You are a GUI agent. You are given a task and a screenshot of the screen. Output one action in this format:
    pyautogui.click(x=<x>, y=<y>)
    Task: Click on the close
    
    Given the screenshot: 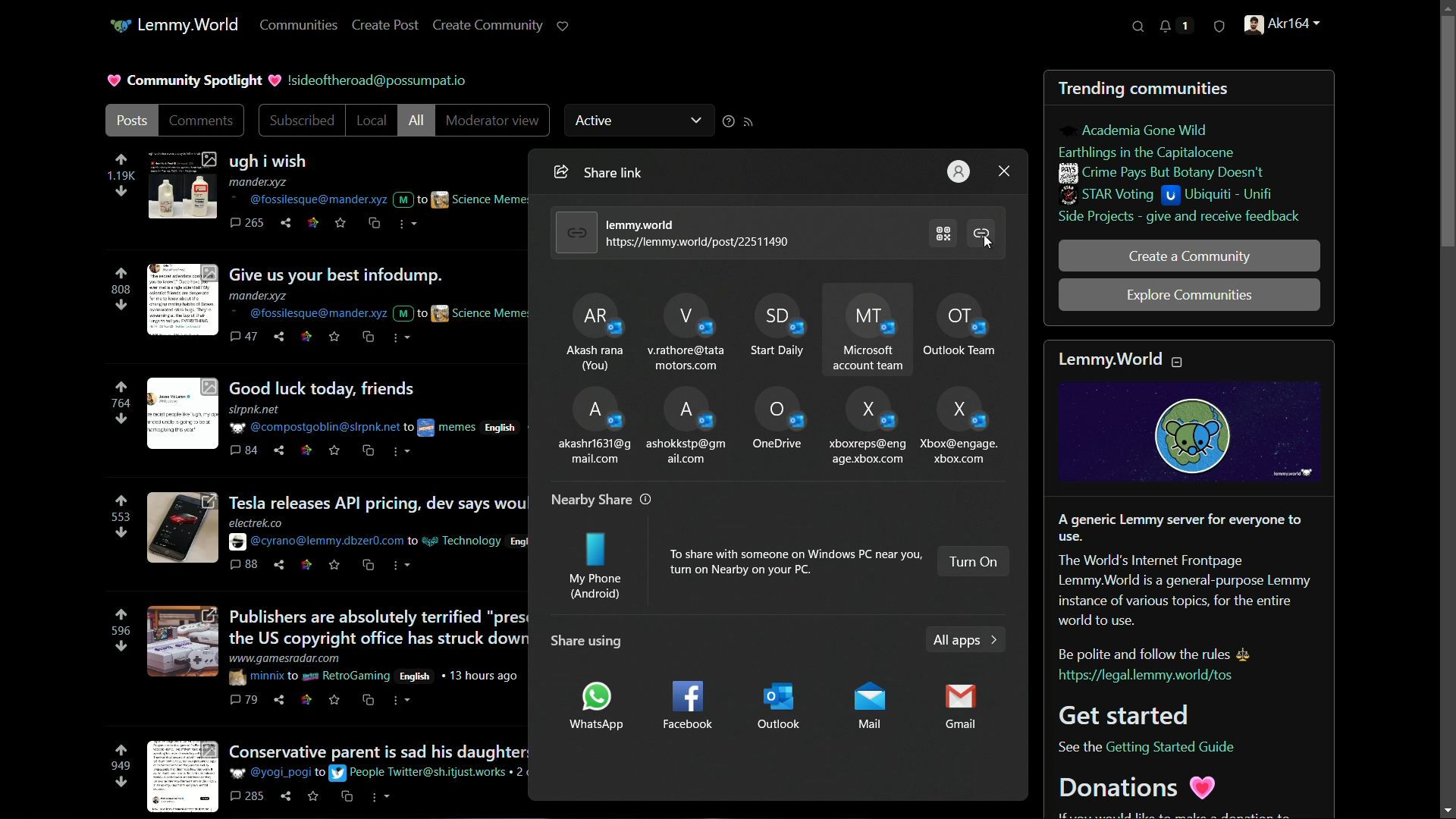 What is the action you would take?
    pyautogui.click(x=1004, y=170)
    